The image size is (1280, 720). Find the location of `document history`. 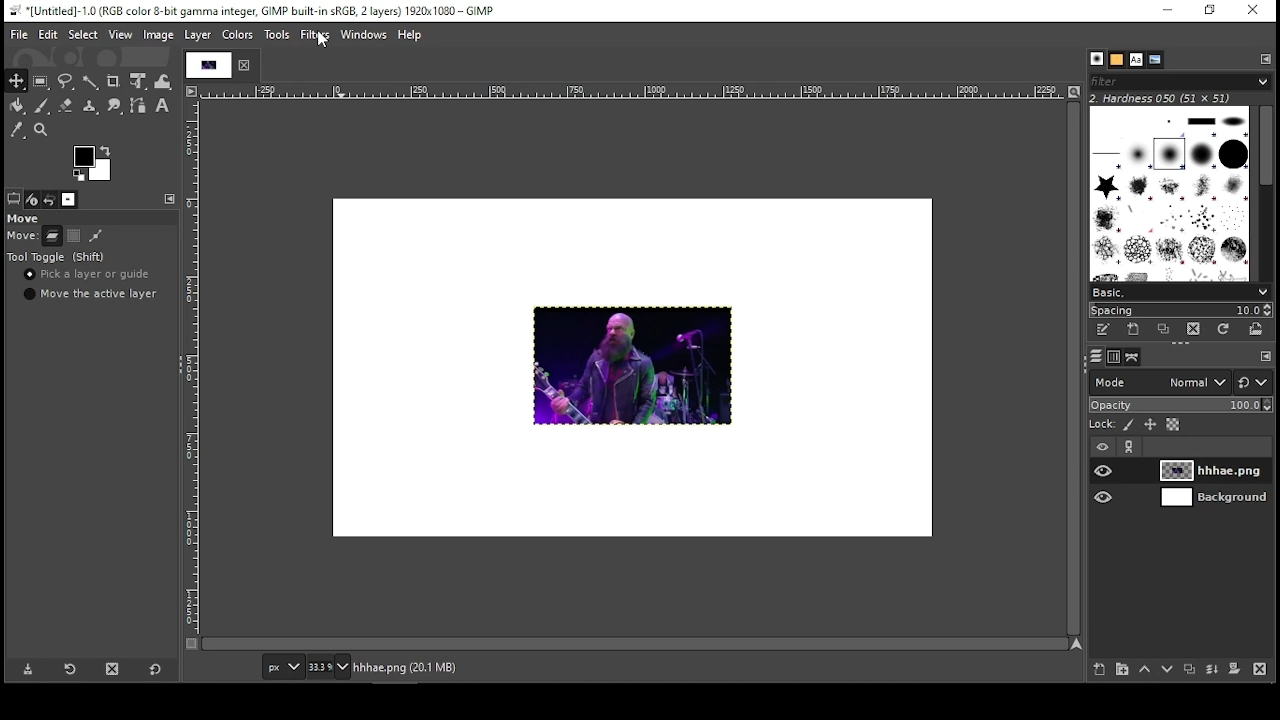

document history is located at coordinates (1156, 59).